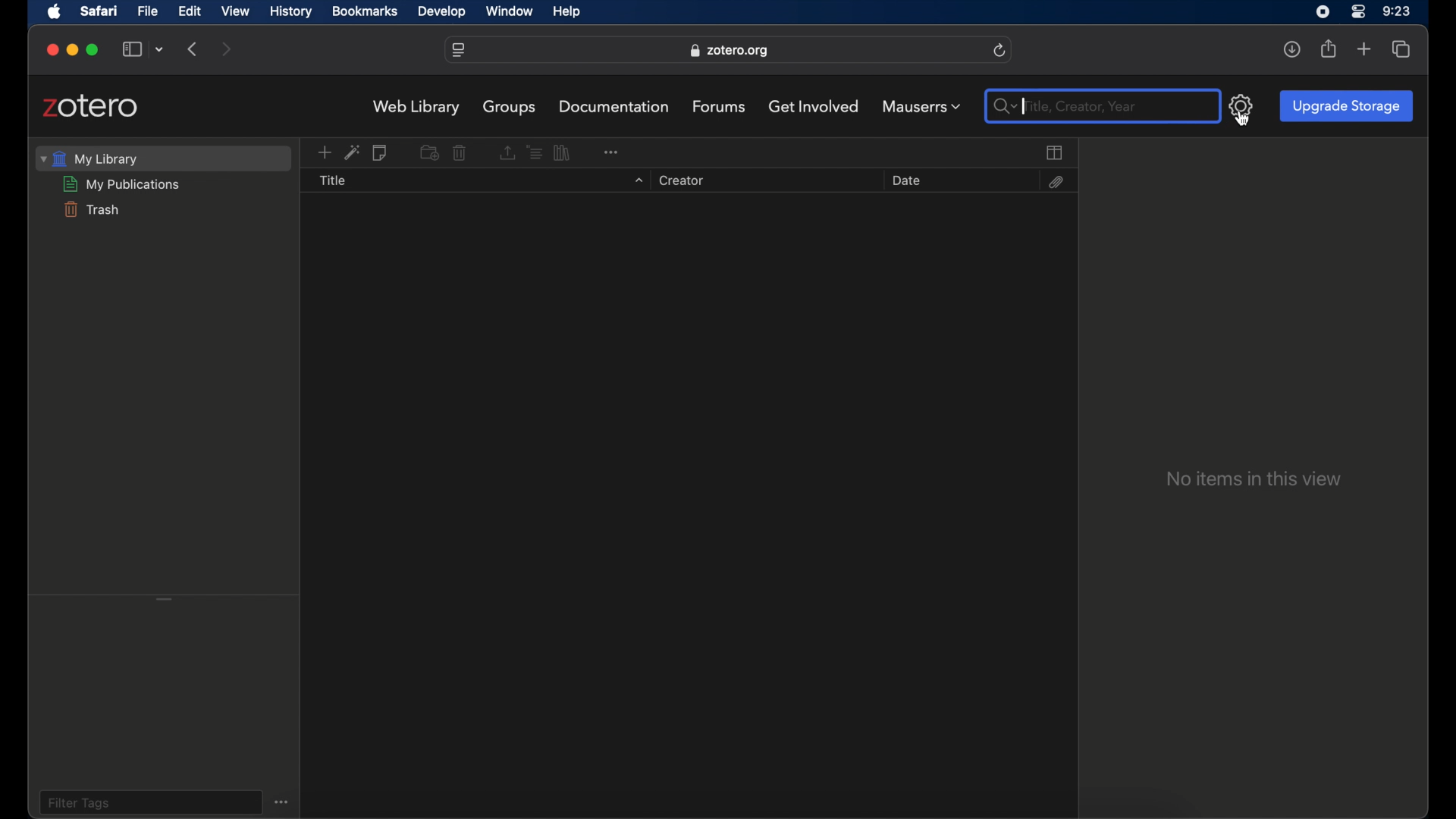  I want to click on minimize, so click(71, 50).